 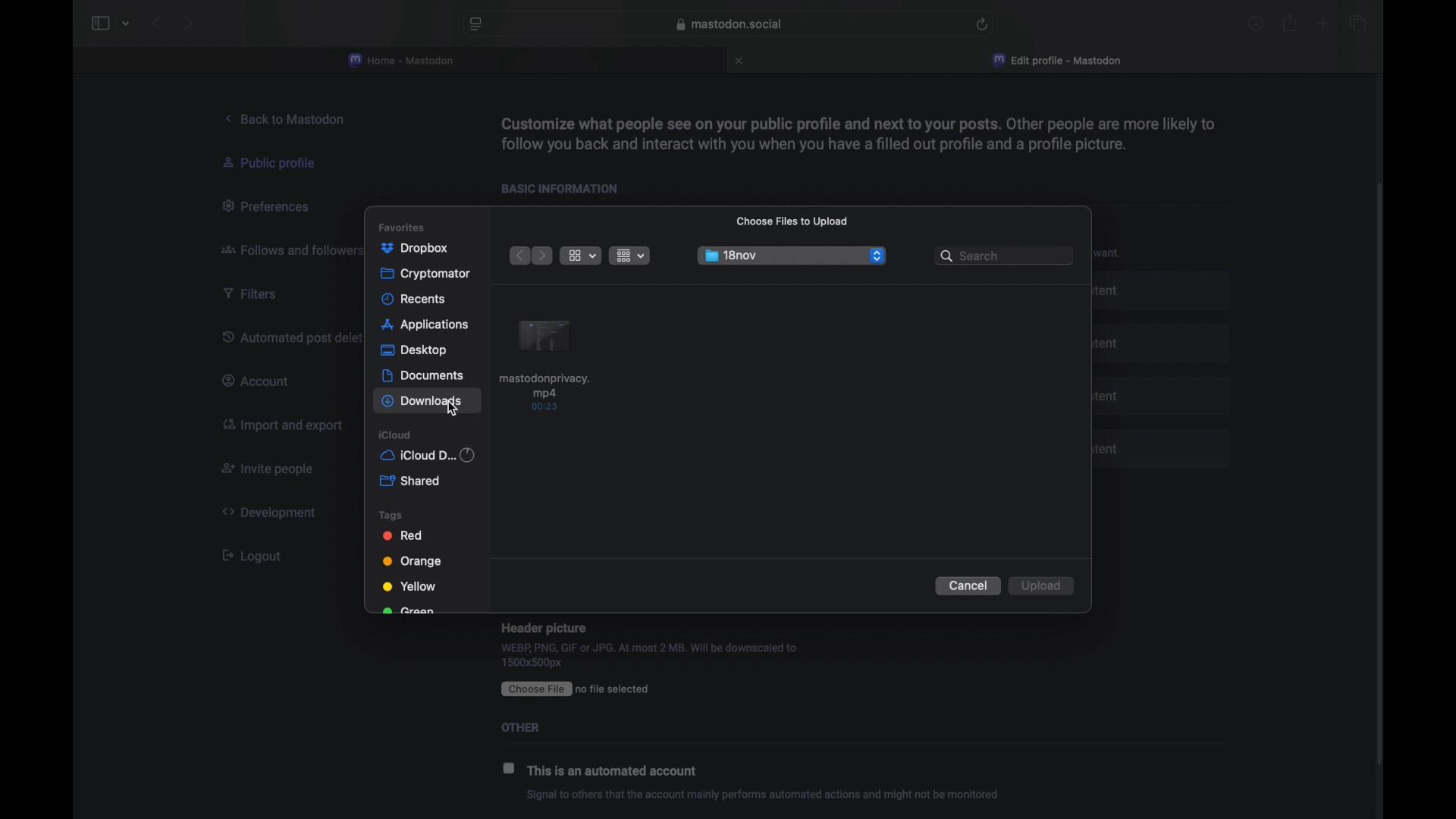 I want to click on favorites, so click(x=401, y=227).